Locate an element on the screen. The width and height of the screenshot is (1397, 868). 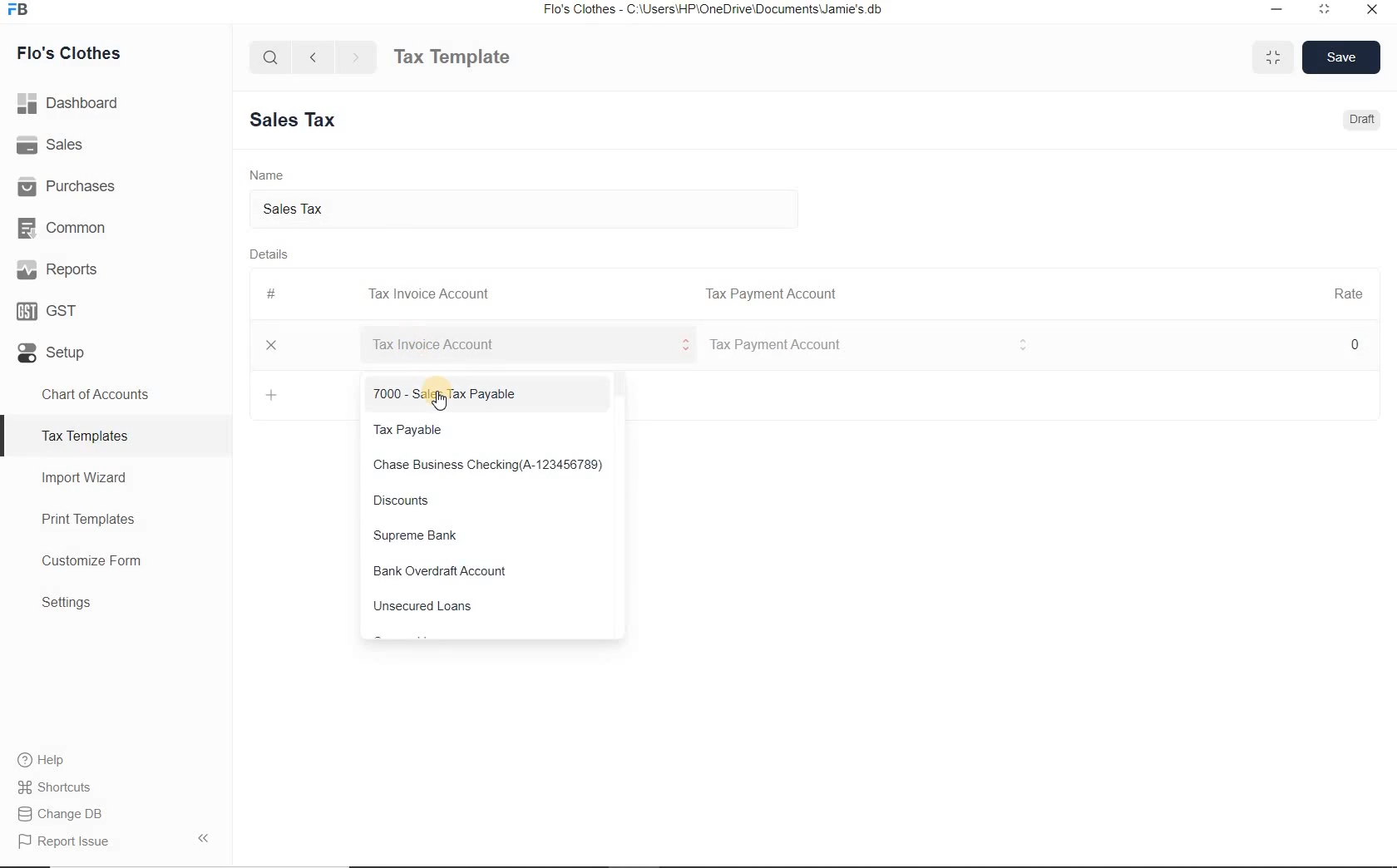
Rate is located at coordinates (1348, 292).